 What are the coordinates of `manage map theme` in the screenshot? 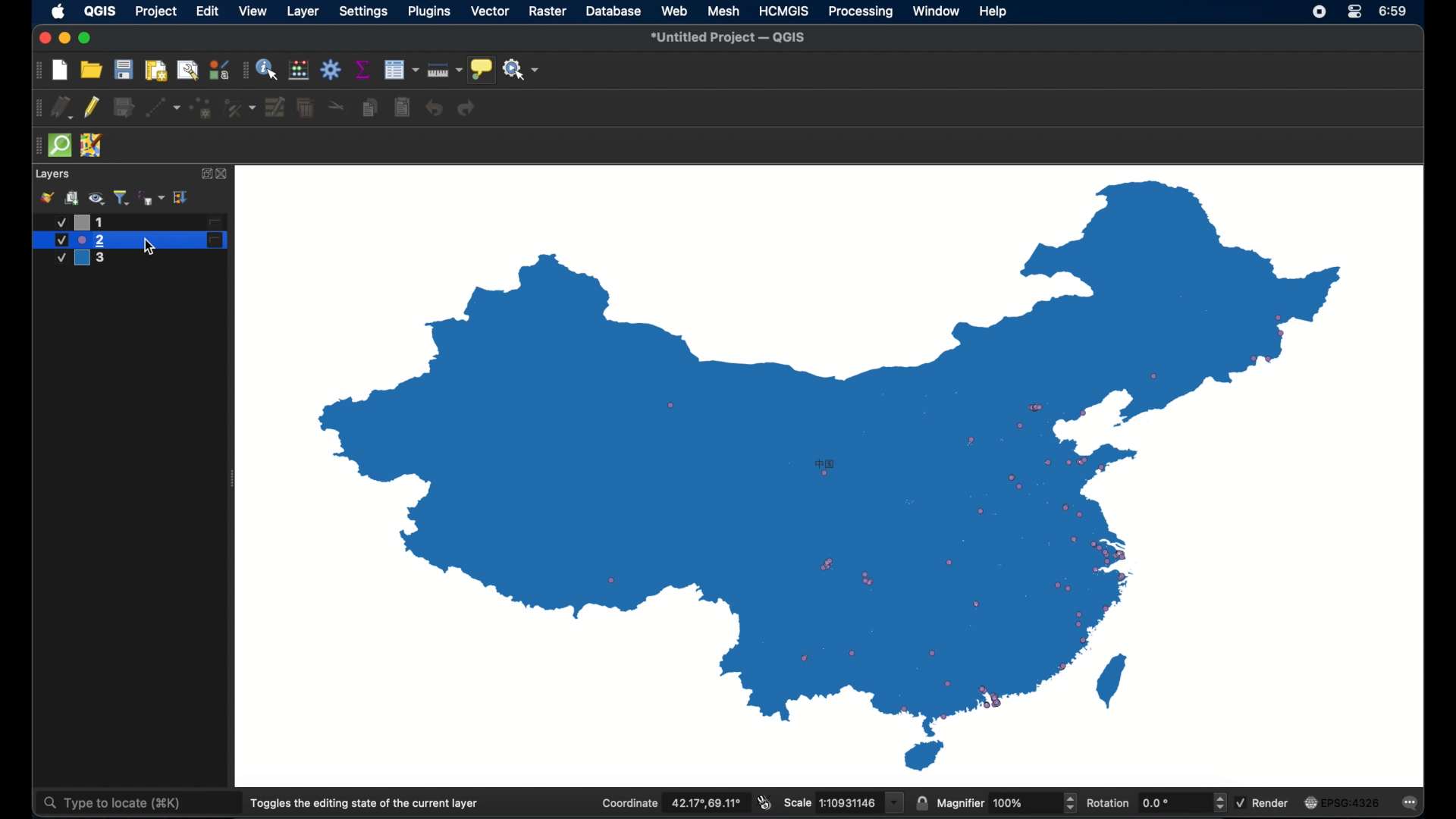 It's located at (96, 198).